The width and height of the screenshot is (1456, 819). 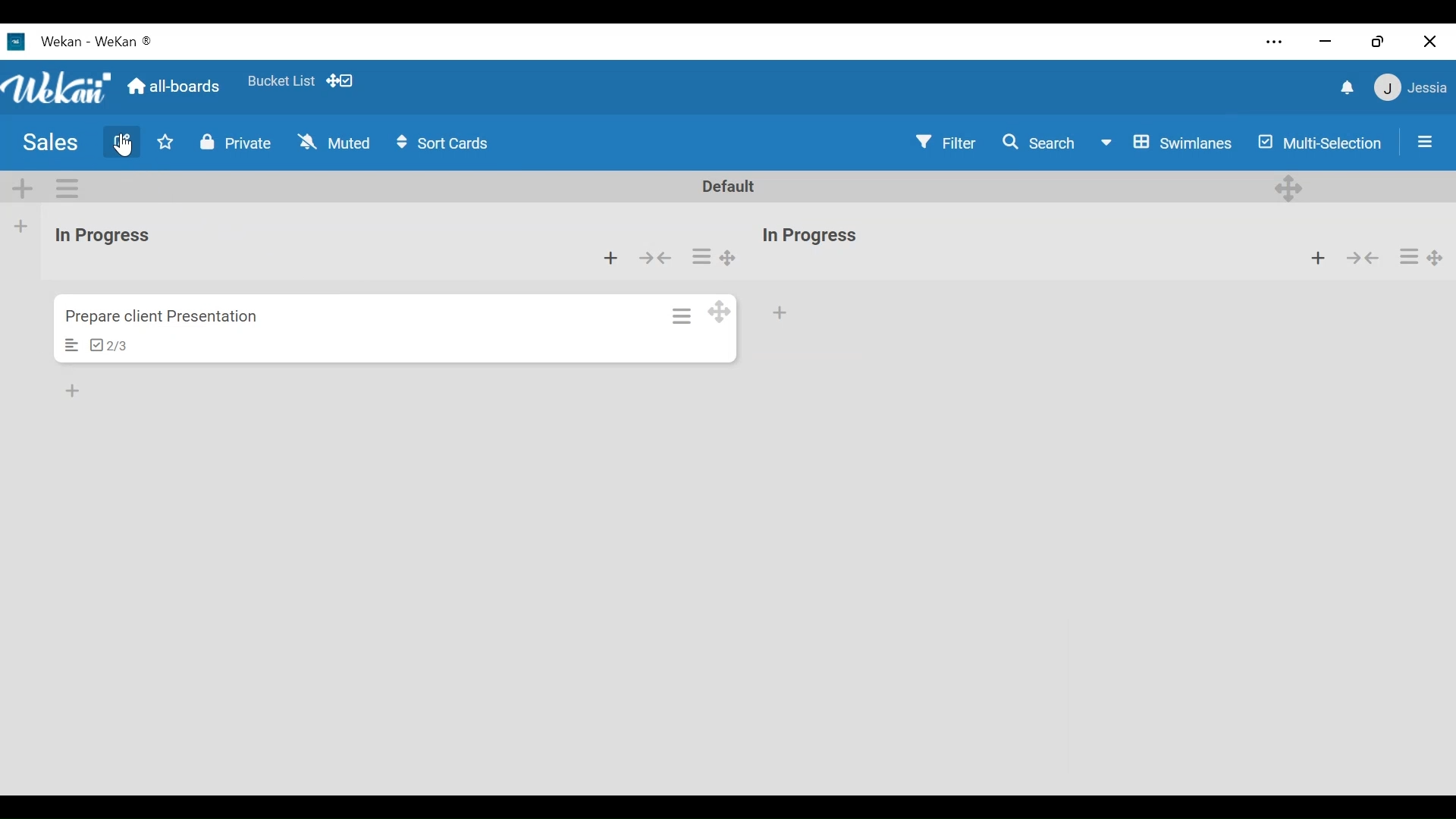 What do you see at coordinates (240, 142) in the screenshot?
I see `Private` at bounding box center [240, 142].